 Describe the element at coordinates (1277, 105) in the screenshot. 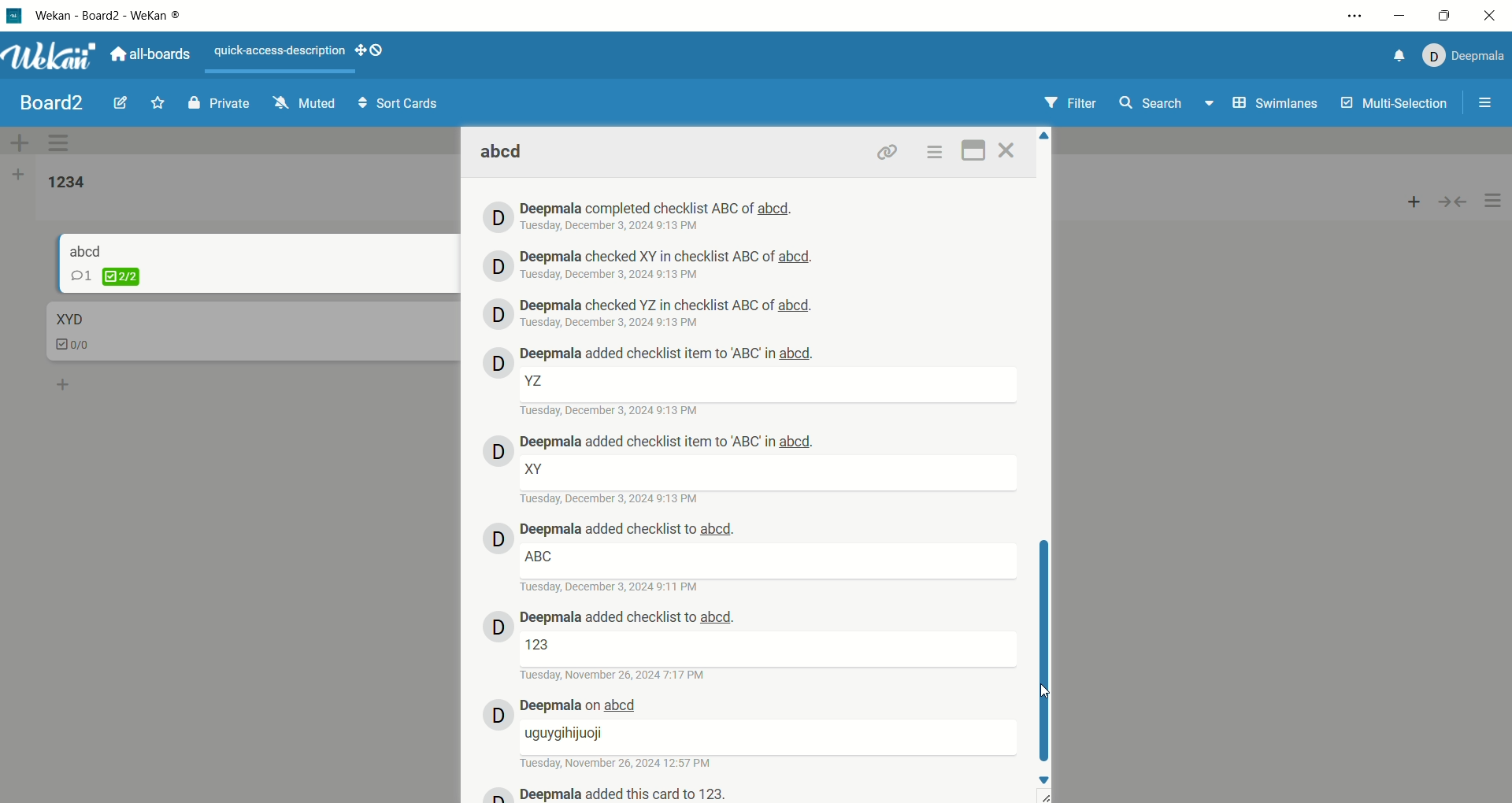

I see `swimlanes` at that location.